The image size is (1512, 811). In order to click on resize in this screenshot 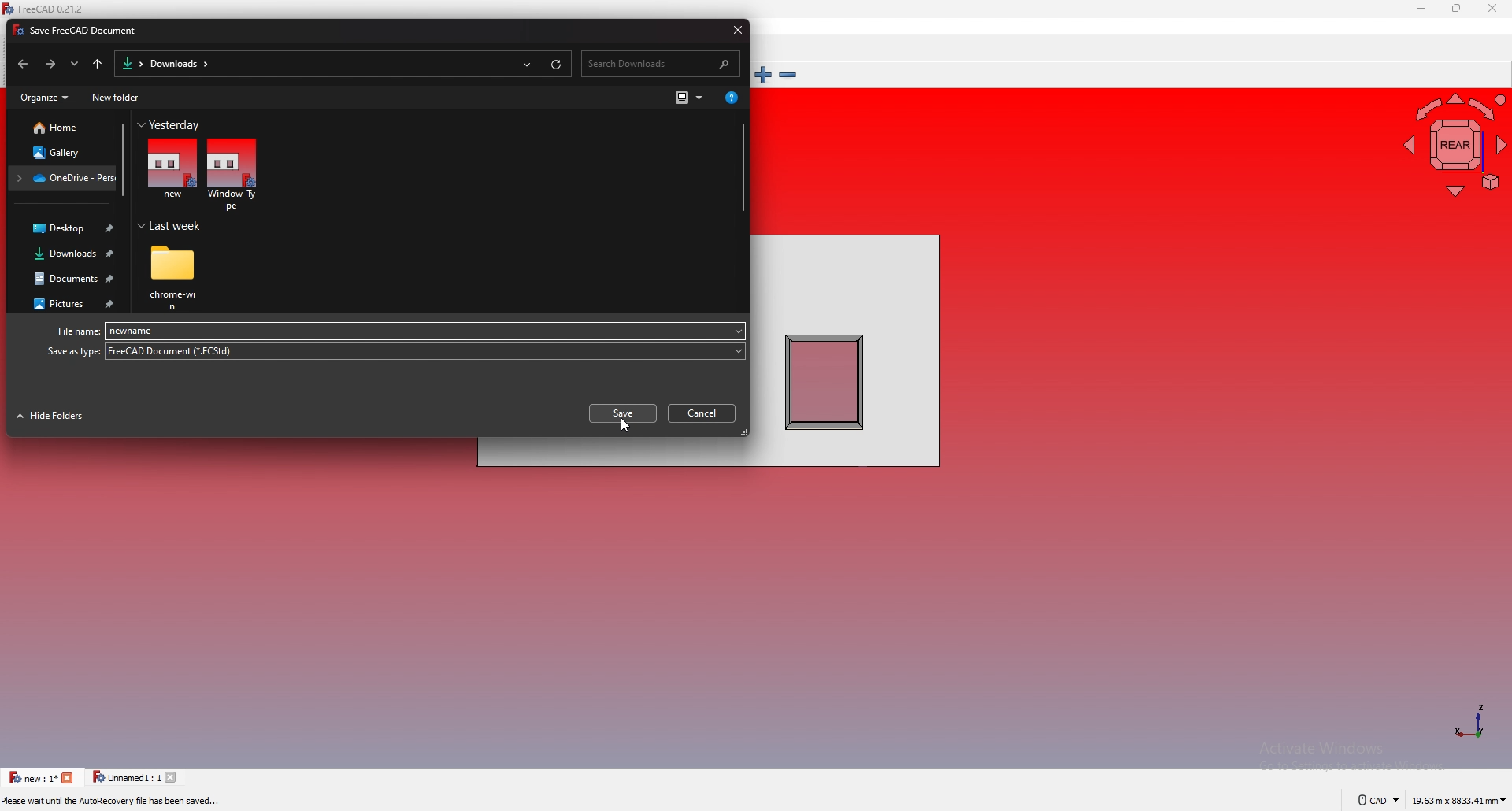, I will do `click(1458, 8)`.